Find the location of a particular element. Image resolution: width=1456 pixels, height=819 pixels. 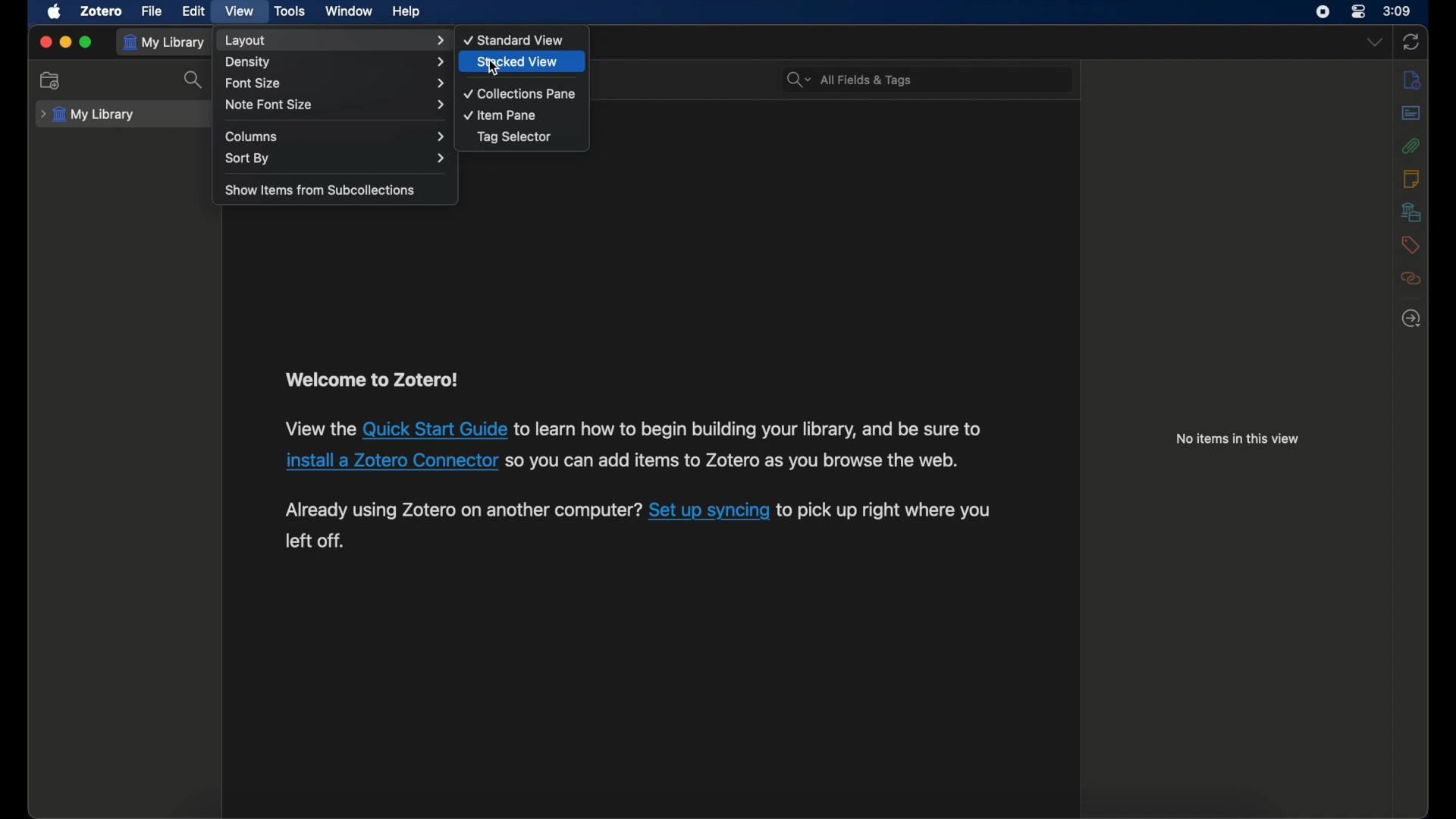

time is located at coordinates (1398, 11).